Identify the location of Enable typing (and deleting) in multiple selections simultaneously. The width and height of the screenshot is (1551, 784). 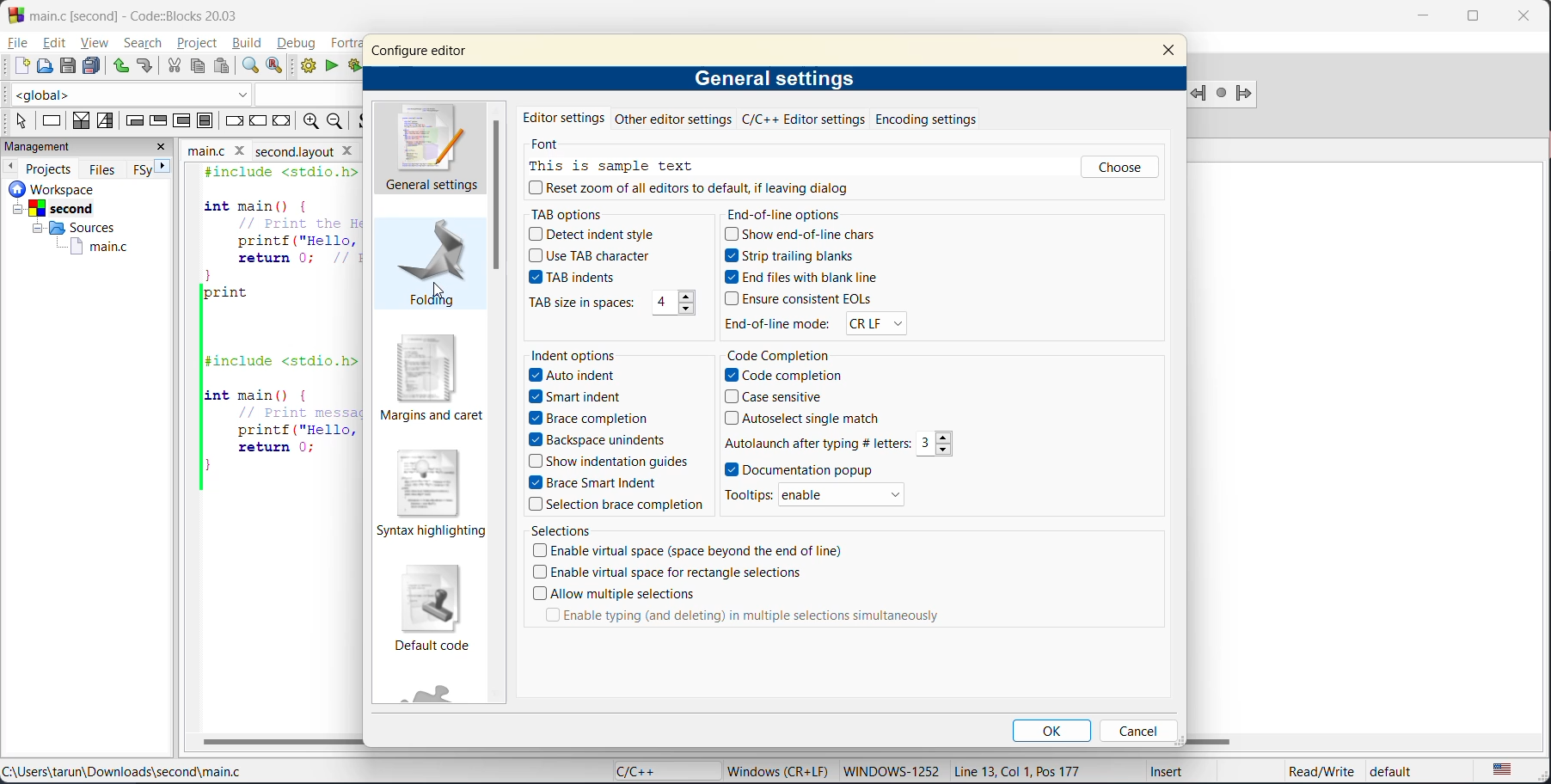
(751, 616).